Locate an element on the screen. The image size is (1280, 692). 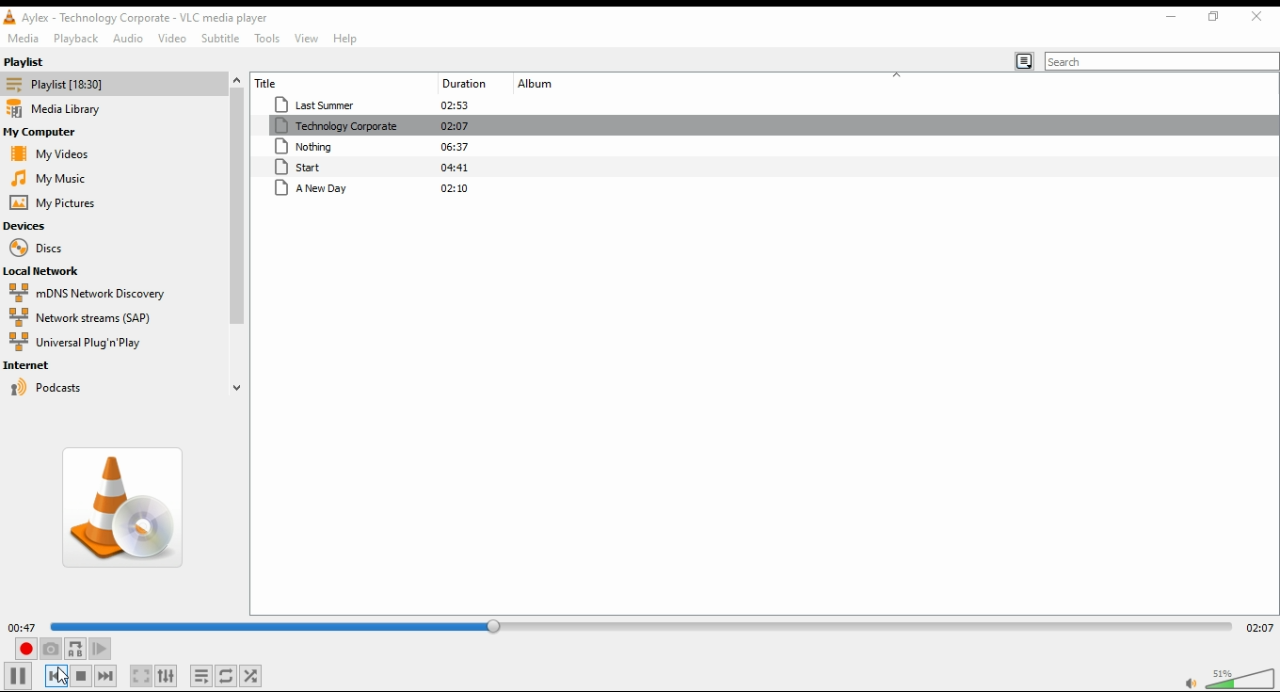
view is located at coordinates (306, 37).